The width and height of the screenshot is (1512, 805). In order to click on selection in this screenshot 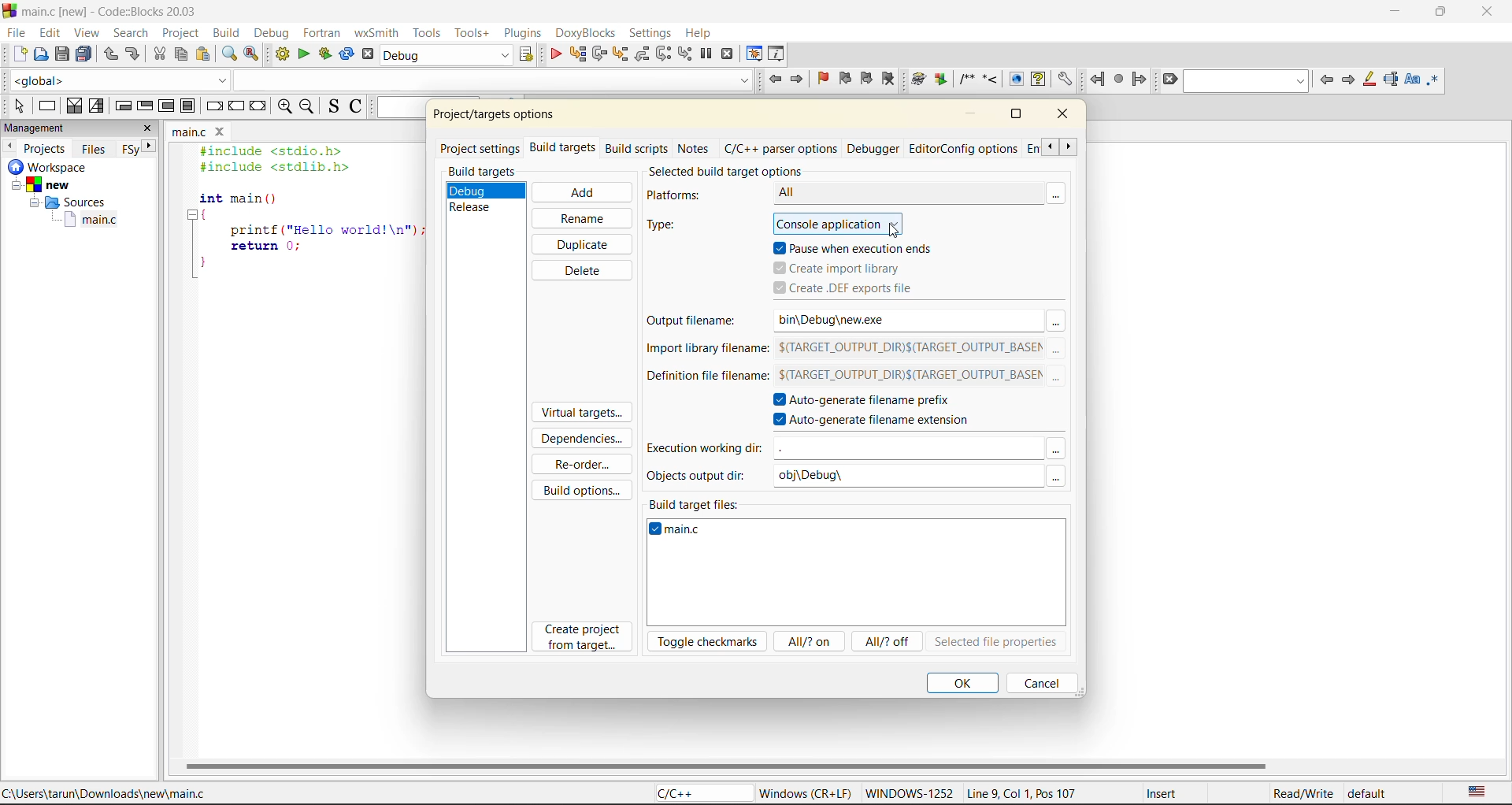, I will do `click(98, 106)`.